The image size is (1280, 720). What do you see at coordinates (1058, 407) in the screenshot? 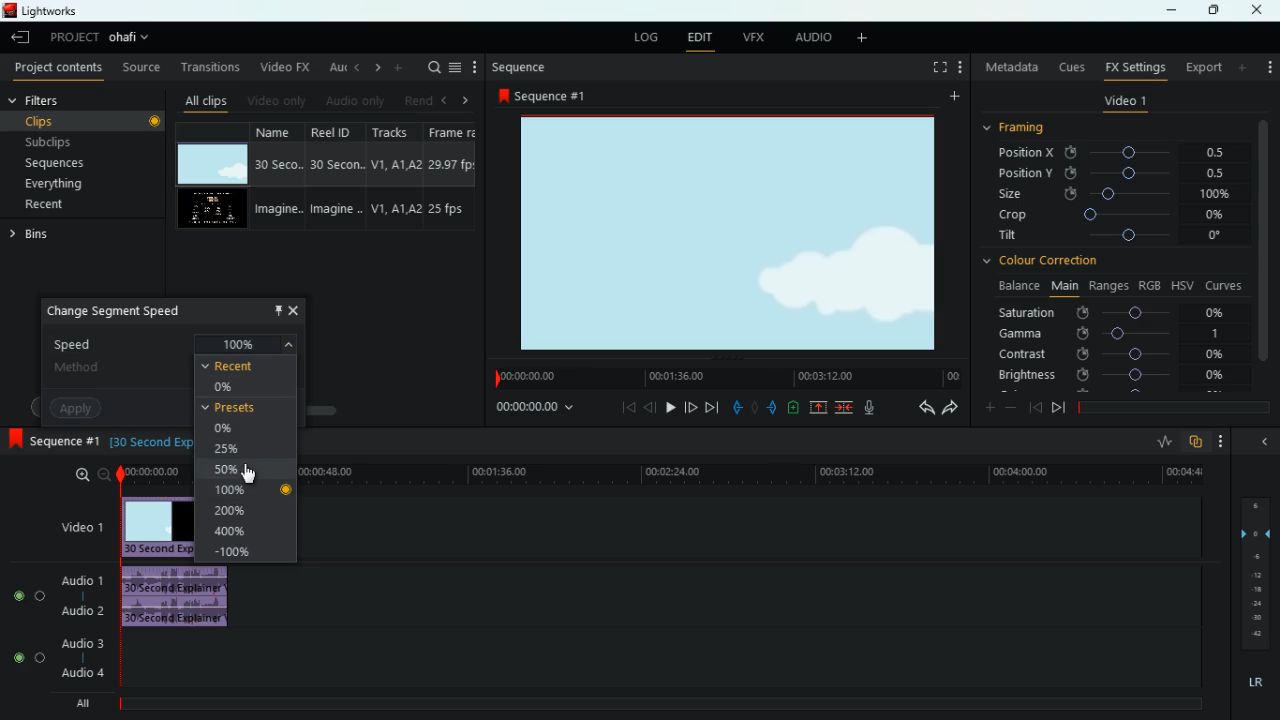
I see `end` at bounding box center [1058, 407].